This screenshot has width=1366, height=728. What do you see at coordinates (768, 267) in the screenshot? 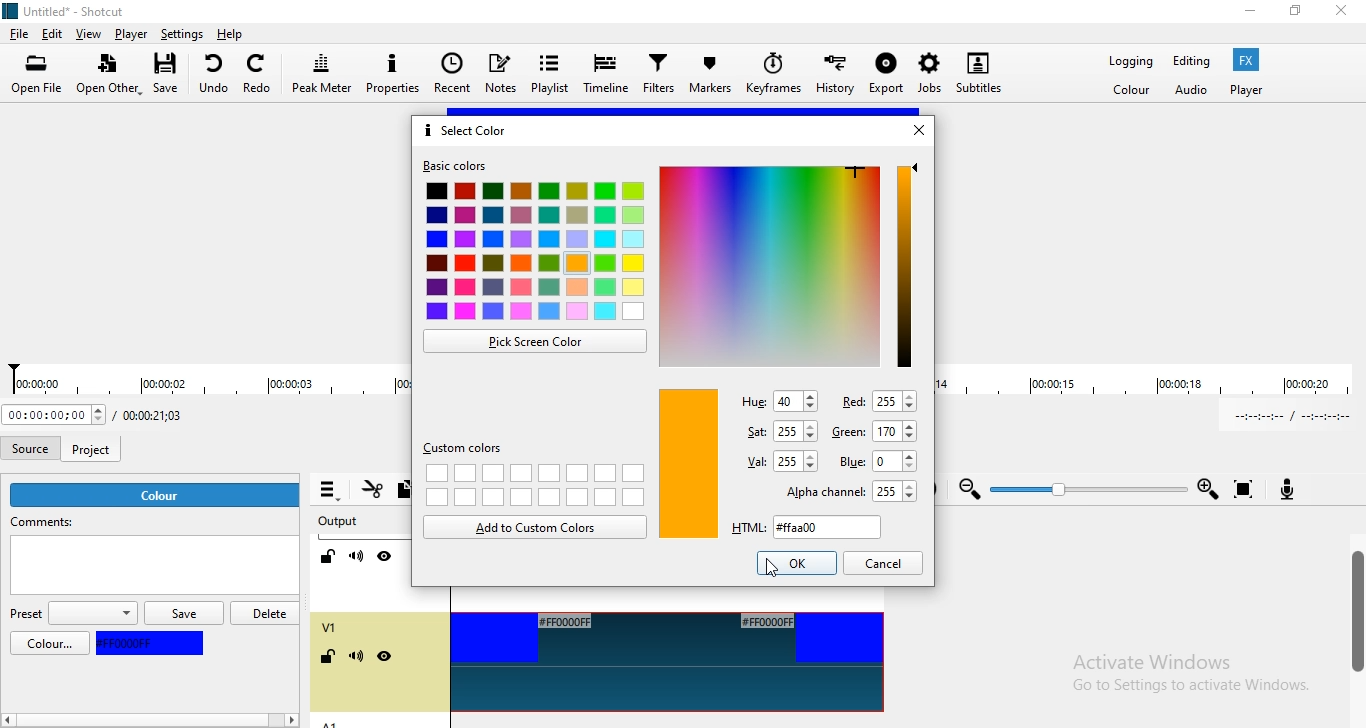
I see `color pallette` at bounding box center [768, 267].